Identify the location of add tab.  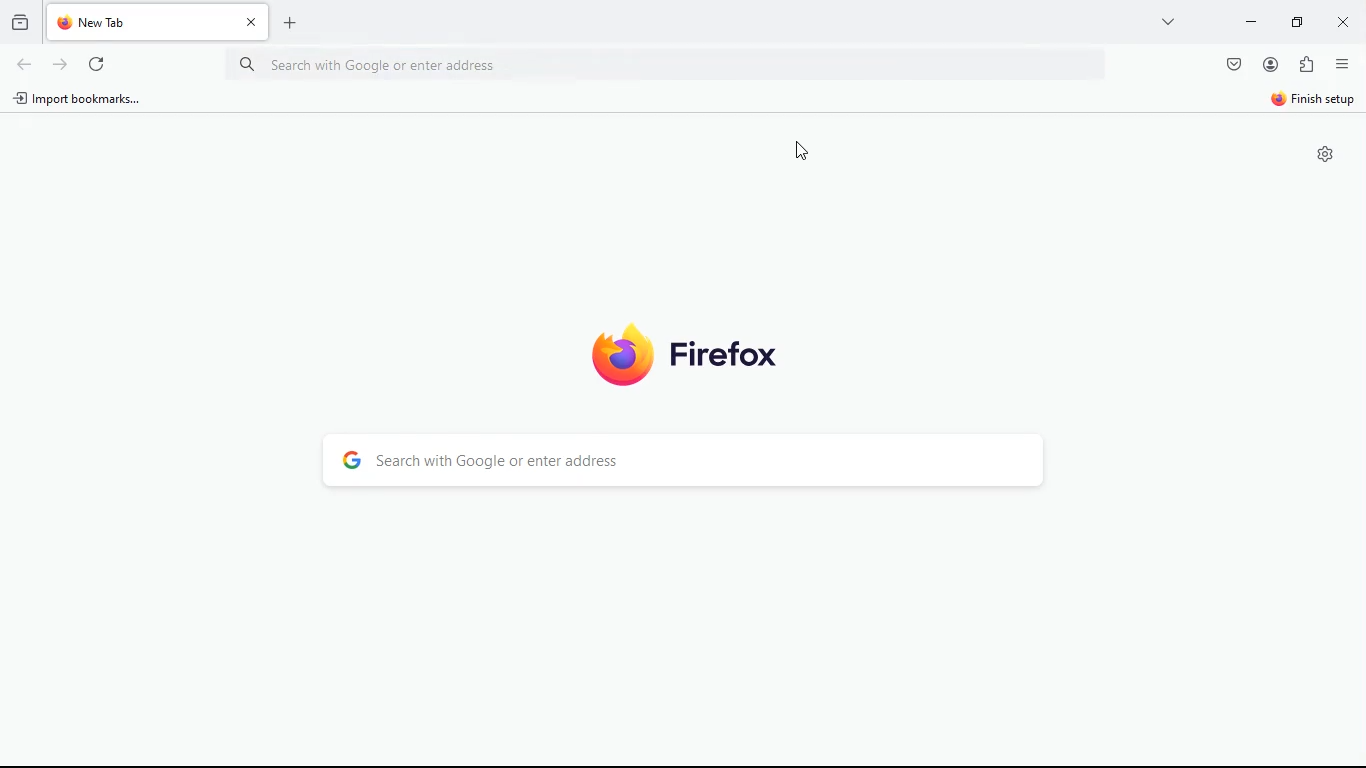
(289, 25).